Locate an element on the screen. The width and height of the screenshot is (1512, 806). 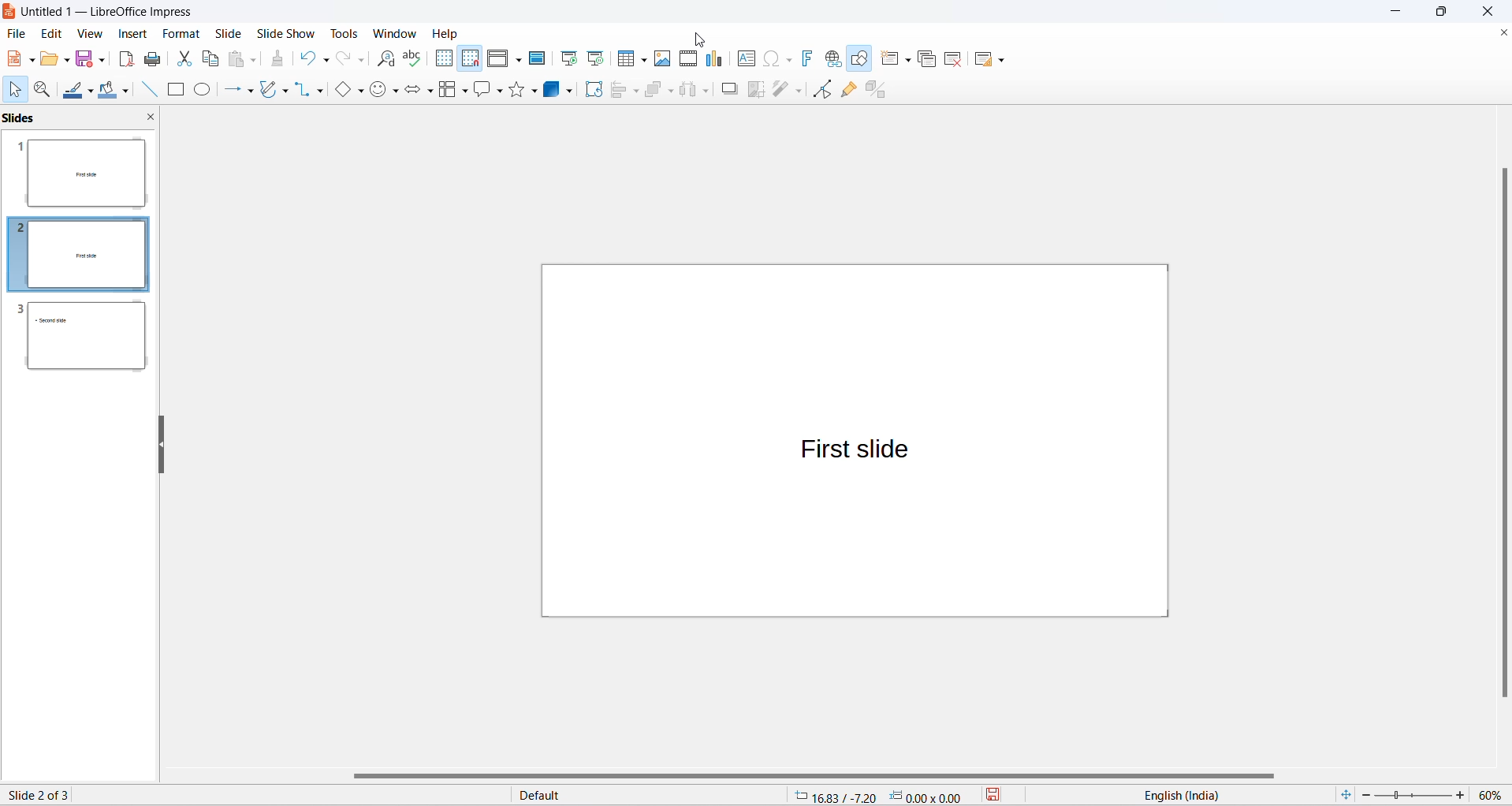
align object options is located at coordinates (634, 91).